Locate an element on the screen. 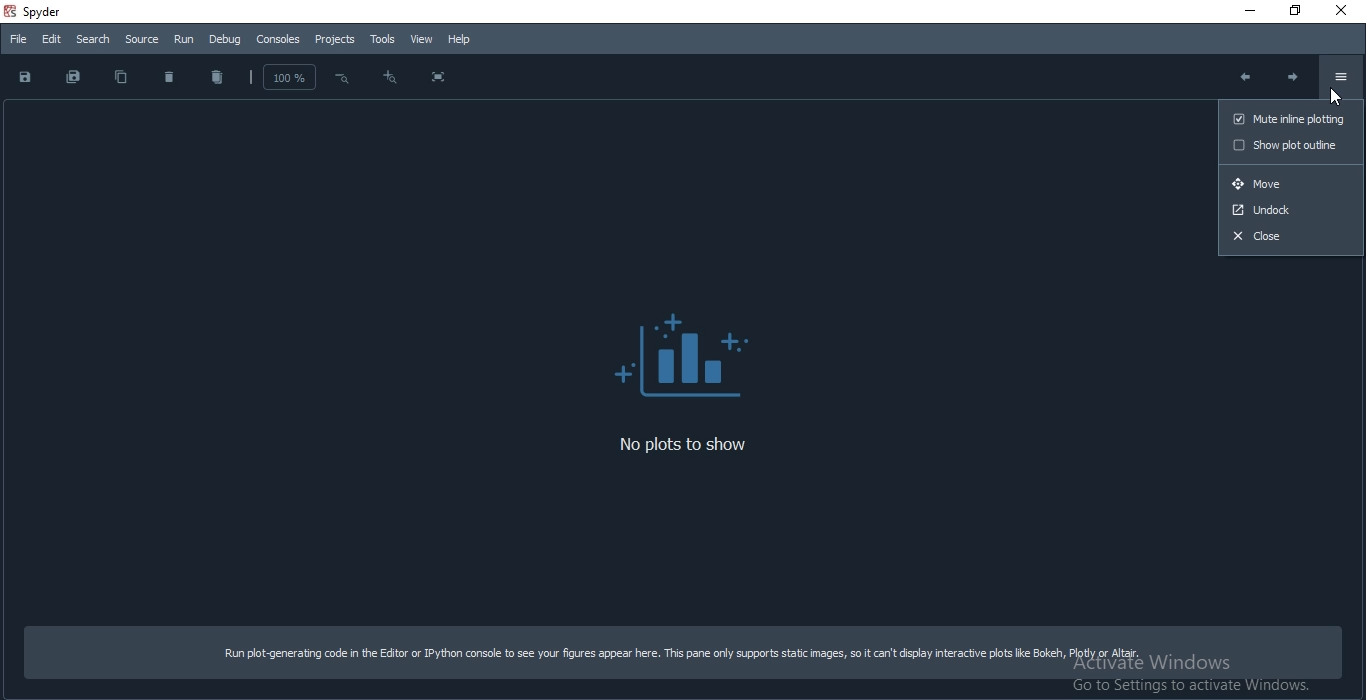 The width and height of the screenshot is (1366, 700). Debug is located at coordinates (226, 40).